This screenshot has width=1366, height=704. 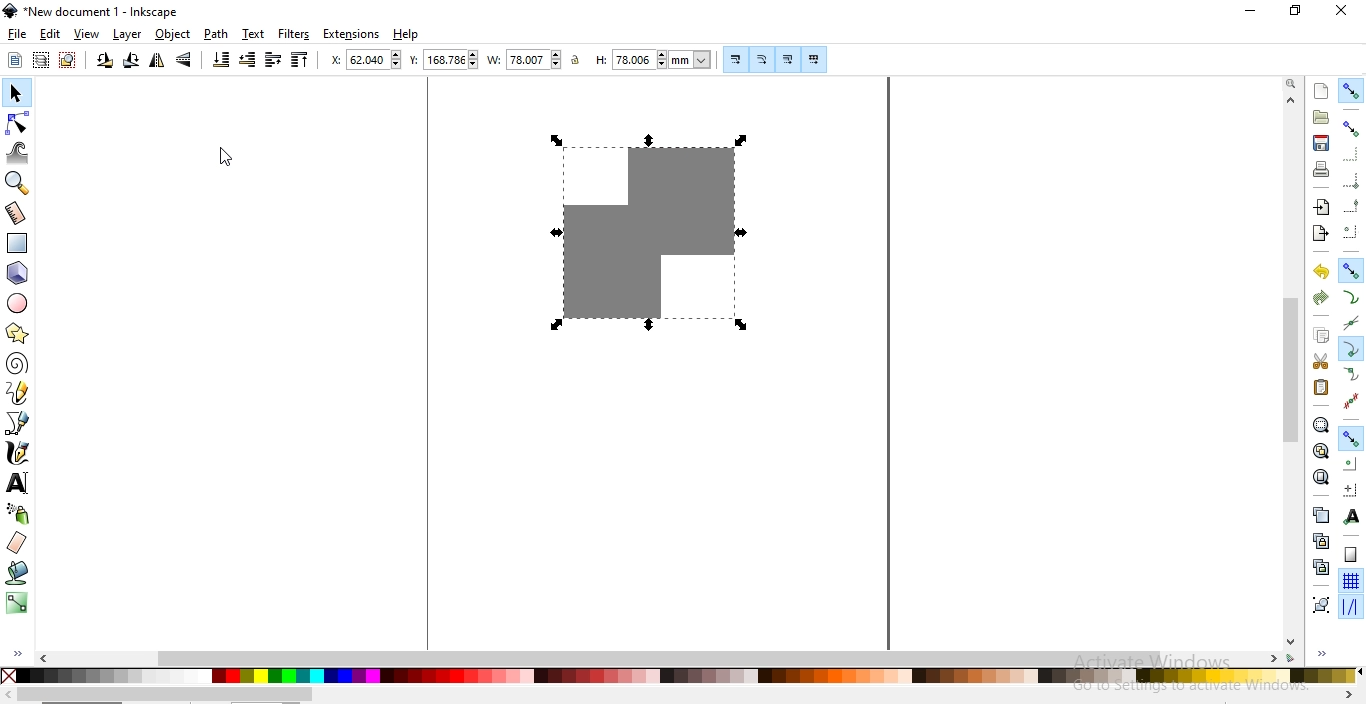 What do you see at coordinates (15, 183) in the screenshot?
I see `zoom in or out` at bounding box center [15, 183].